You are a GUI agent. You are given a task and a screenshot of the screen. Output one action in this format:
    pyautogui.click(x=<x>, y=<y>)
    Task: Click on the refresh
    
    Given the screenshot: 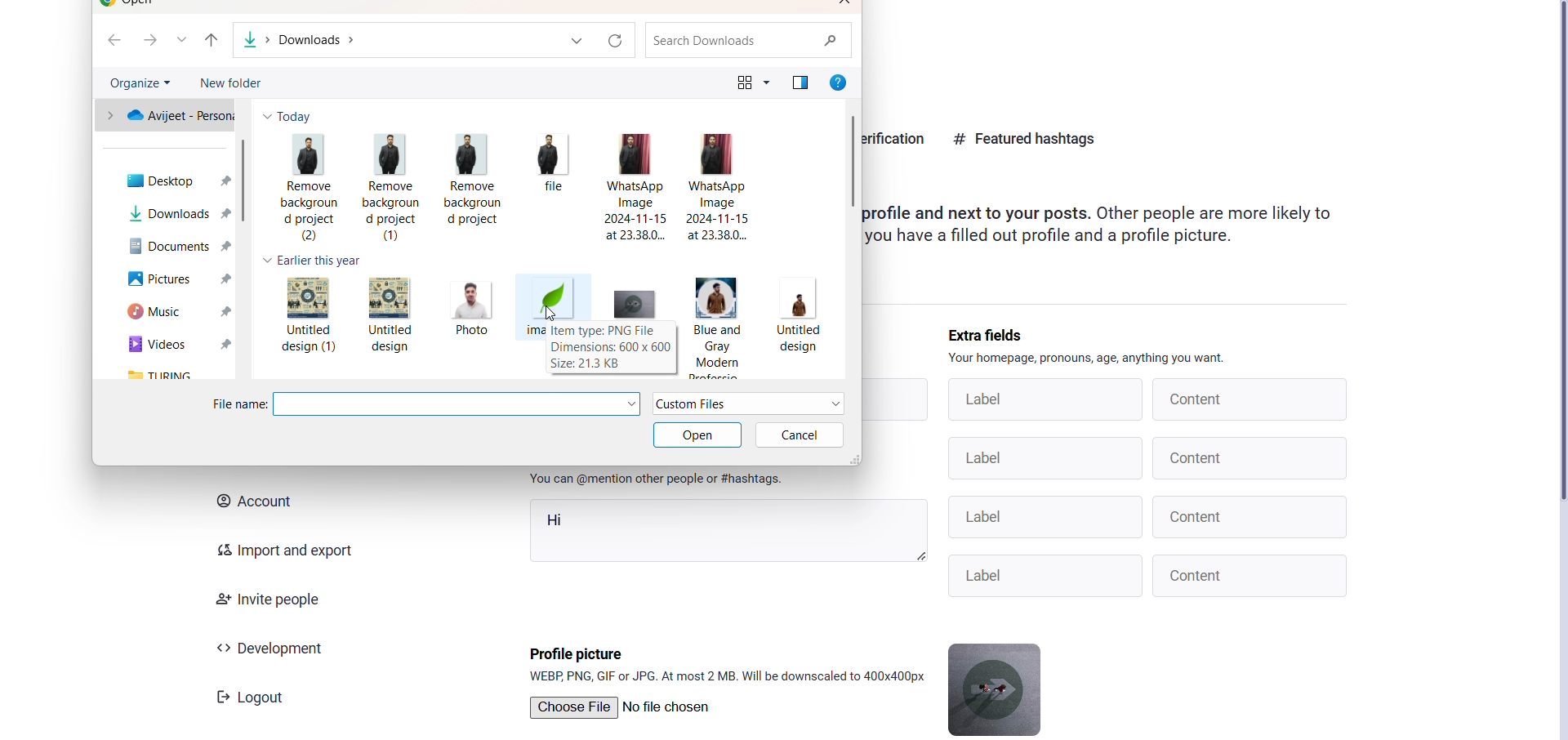 What is the action you would take?
    pyautogui.click(x=616, y=38)
    